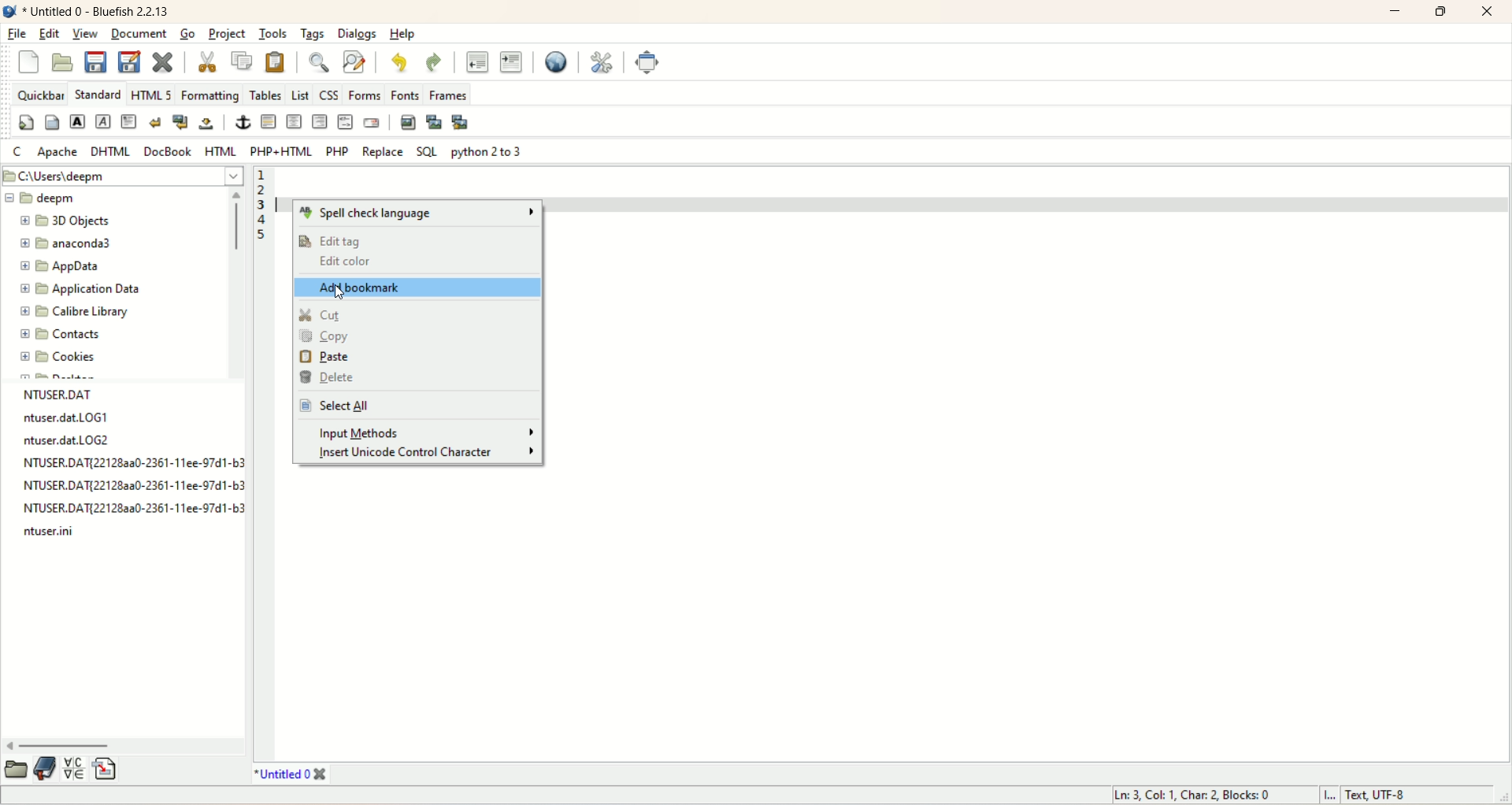 This screenshot has height=805, width=1512. I want to click on title, so click(98, 13).